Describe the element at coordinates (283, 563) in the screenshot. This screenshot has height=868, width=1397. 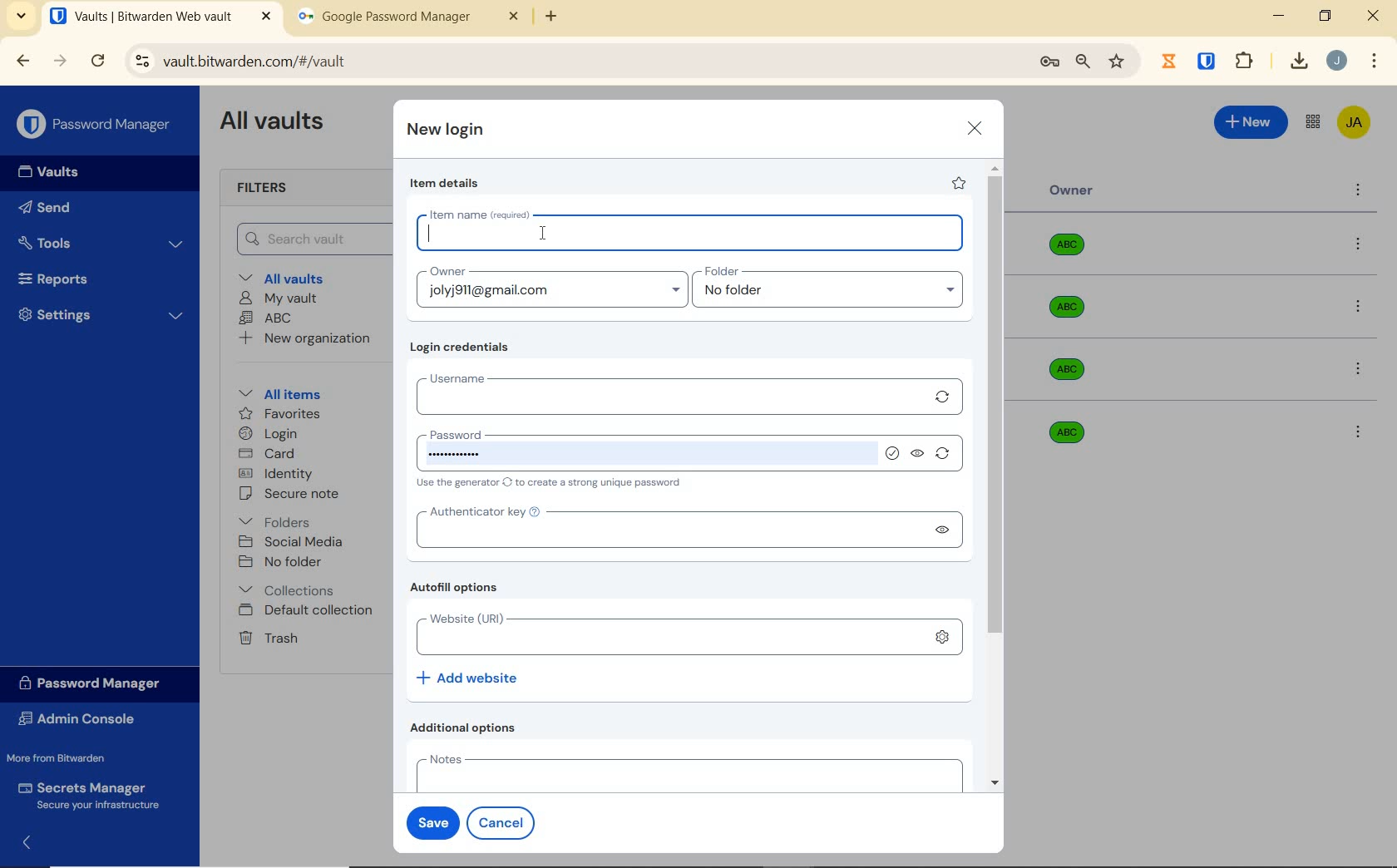
I see `No folder` at that location.